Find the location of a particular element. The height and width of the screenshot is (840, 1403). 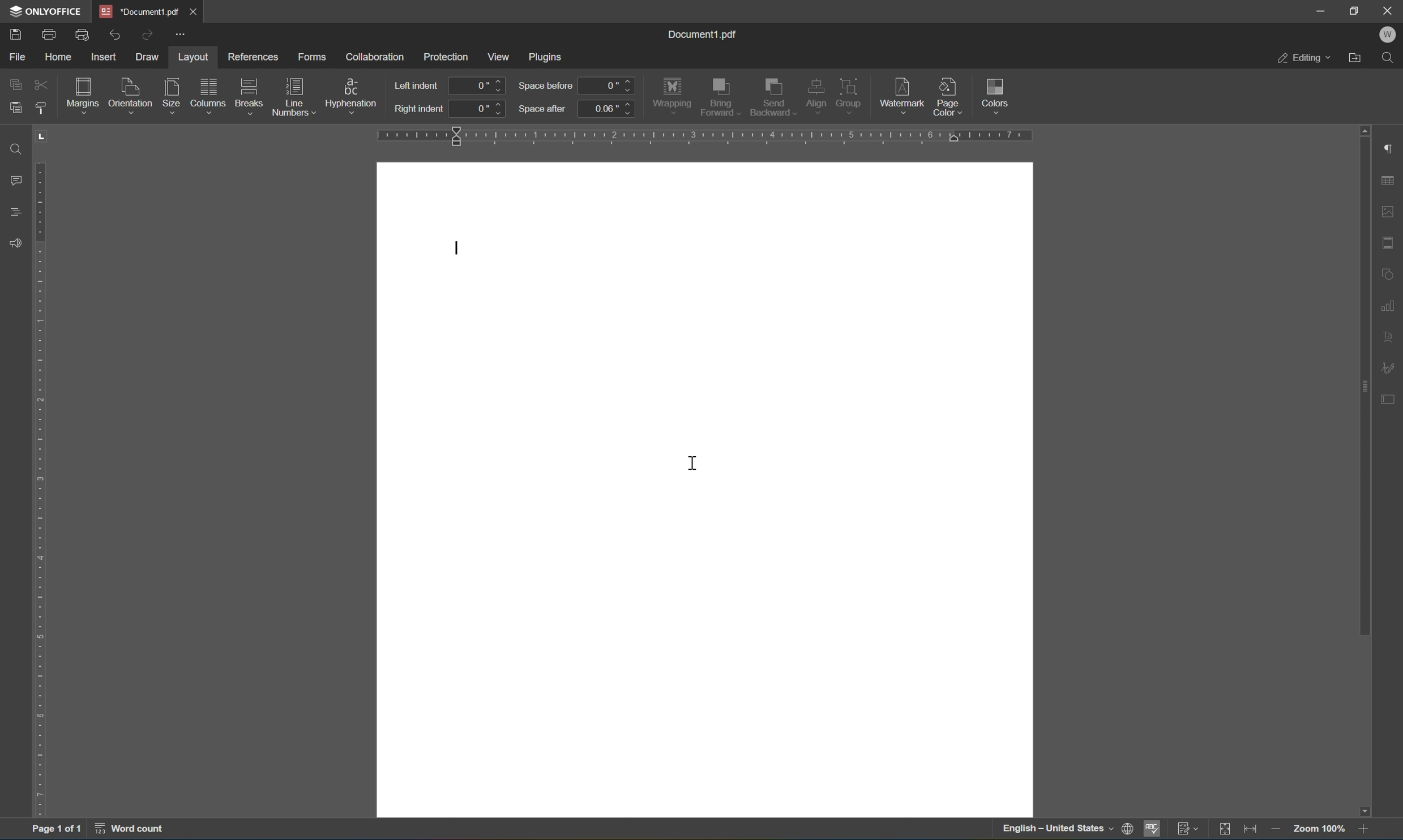

W is located at coordinates (1387, 34).